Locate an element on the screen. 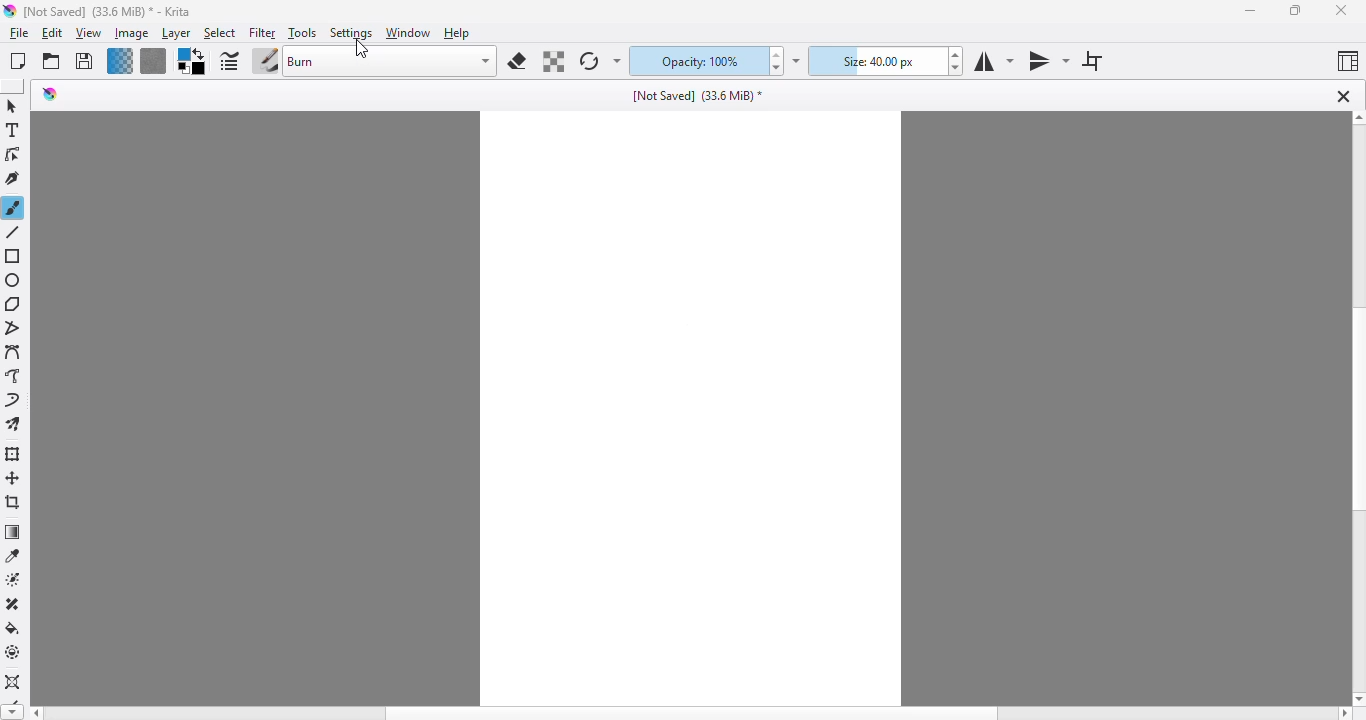  tools is located at coordinates (301, 33).